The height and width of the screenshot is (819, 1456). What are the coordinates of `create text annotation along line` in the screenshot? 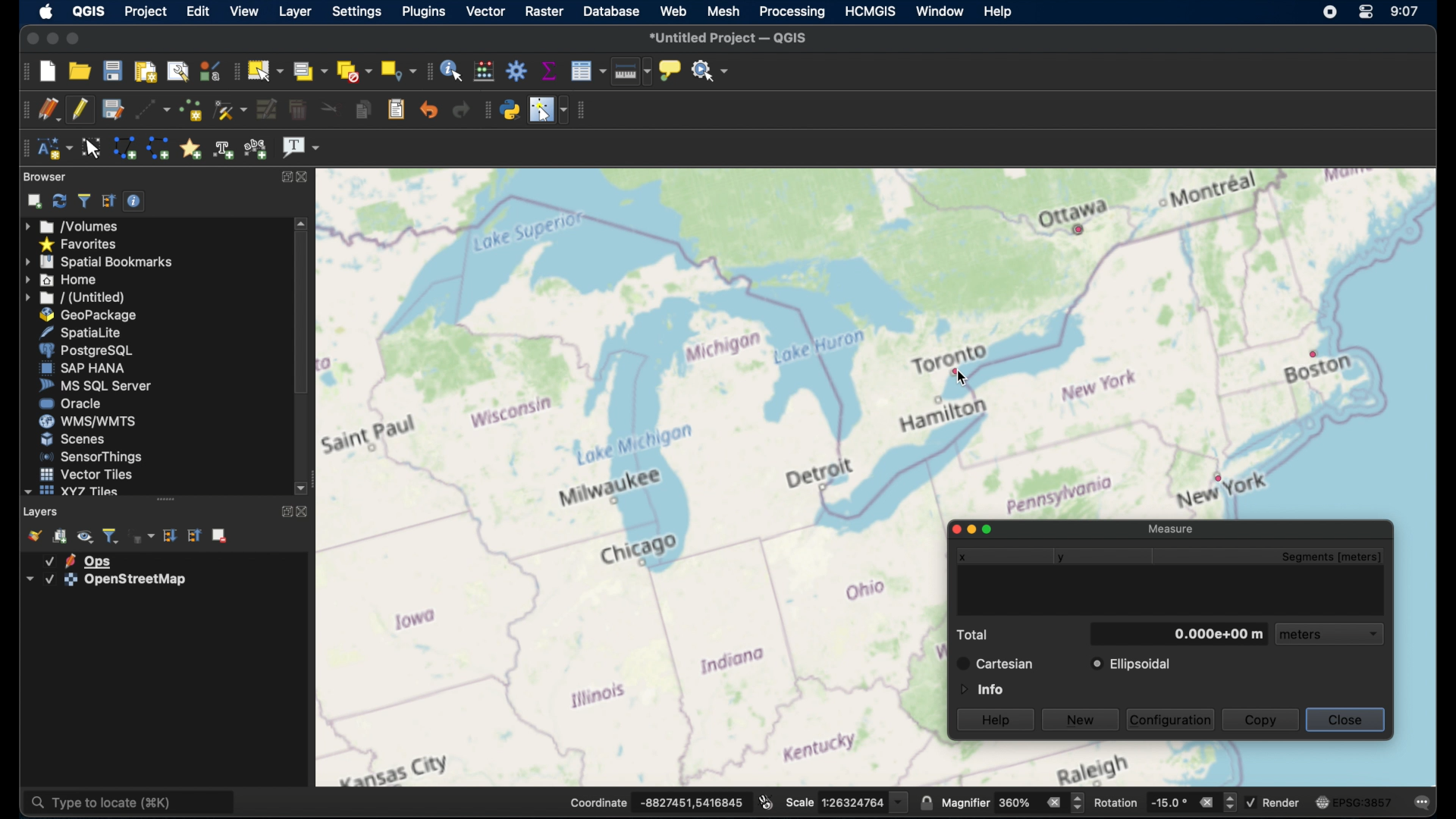 It's located at (224, 149).